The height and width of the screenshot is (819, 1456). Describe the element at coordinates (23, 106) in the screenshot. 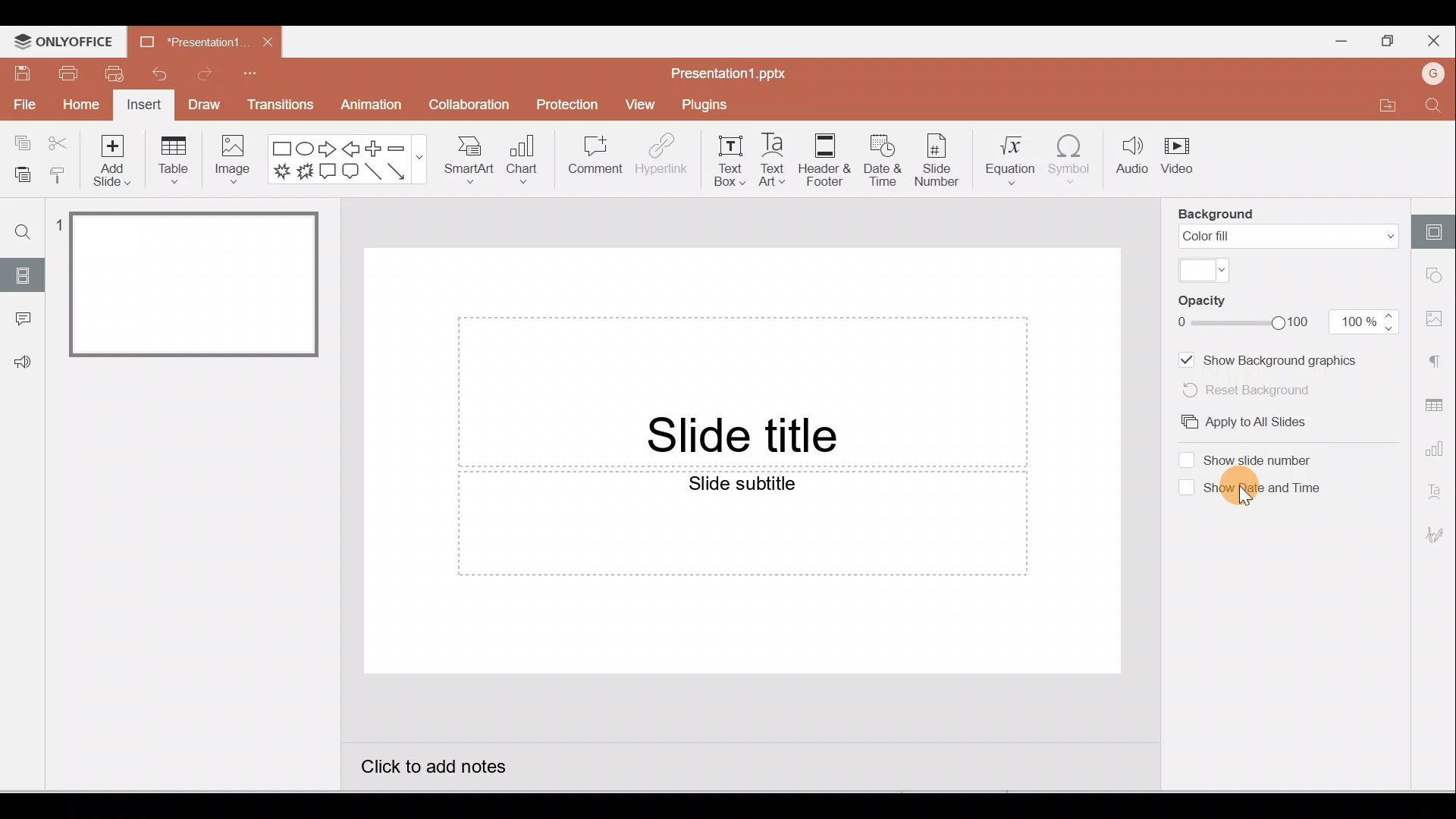

I see `File` at that location.